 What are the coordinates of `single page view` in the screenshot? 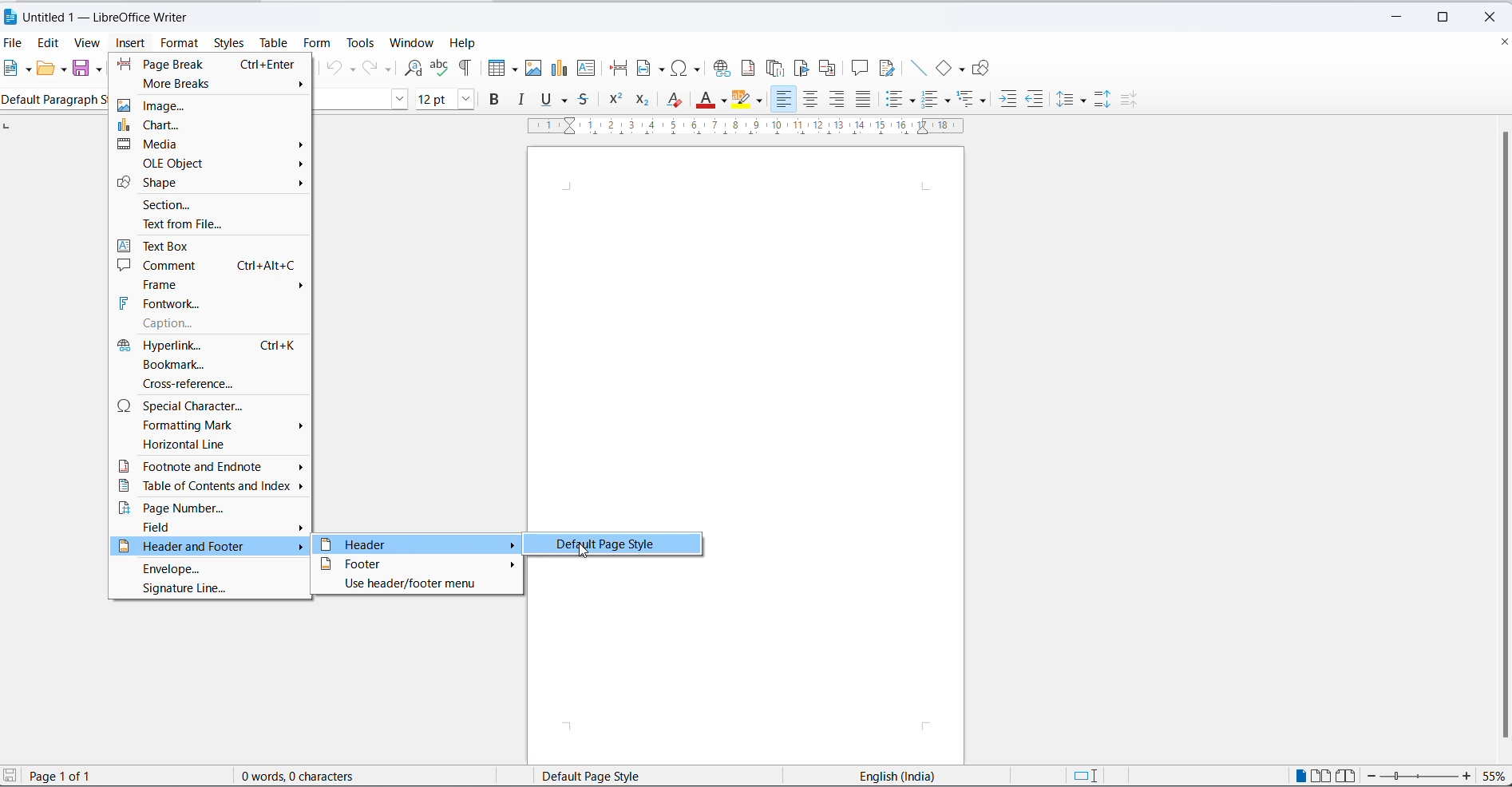 It's located at (1300, 776).